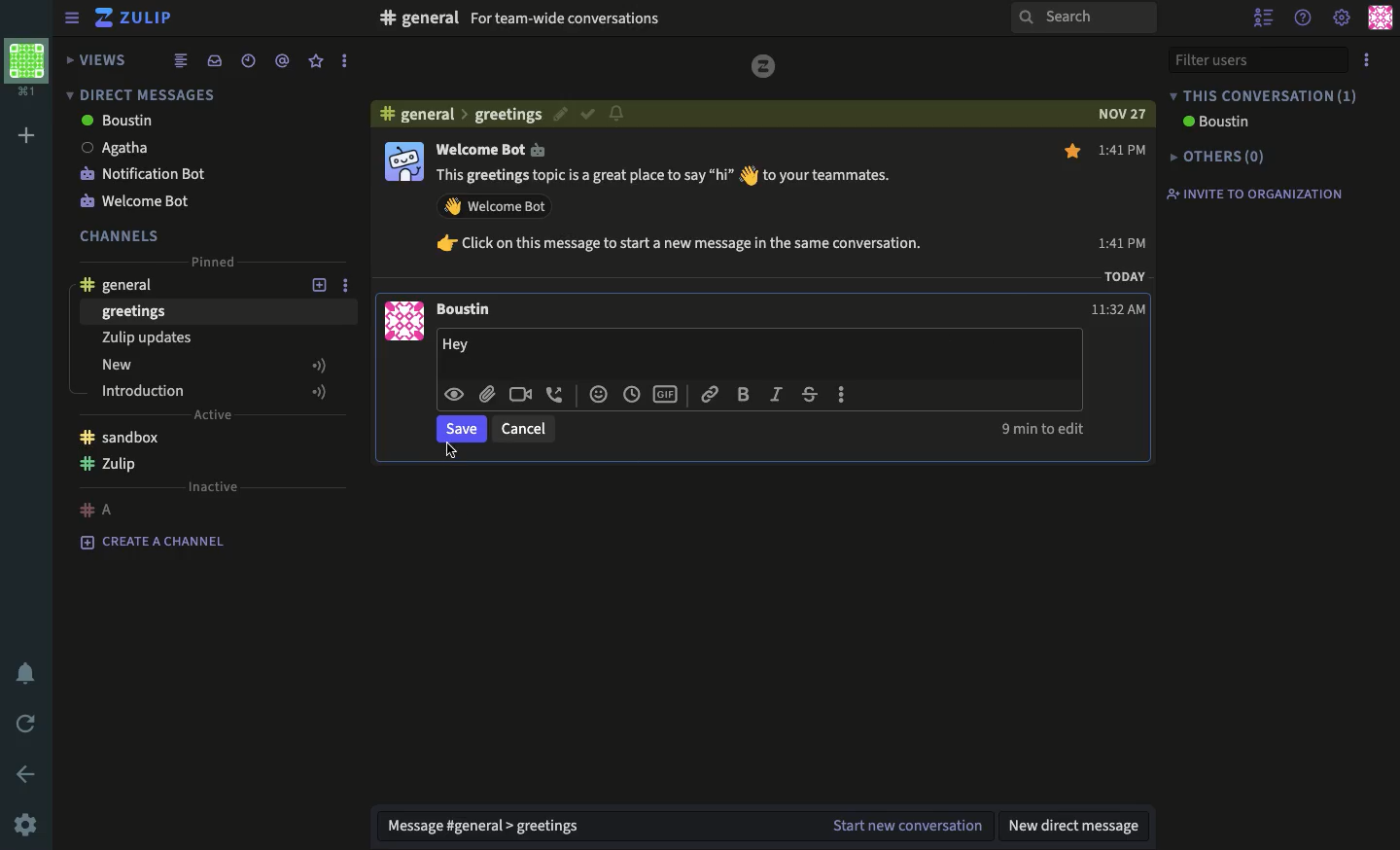  What do you see at coordinates (144, 339) in the screenshot?
I see `Zulip updates` at bounding box center [144, 339].